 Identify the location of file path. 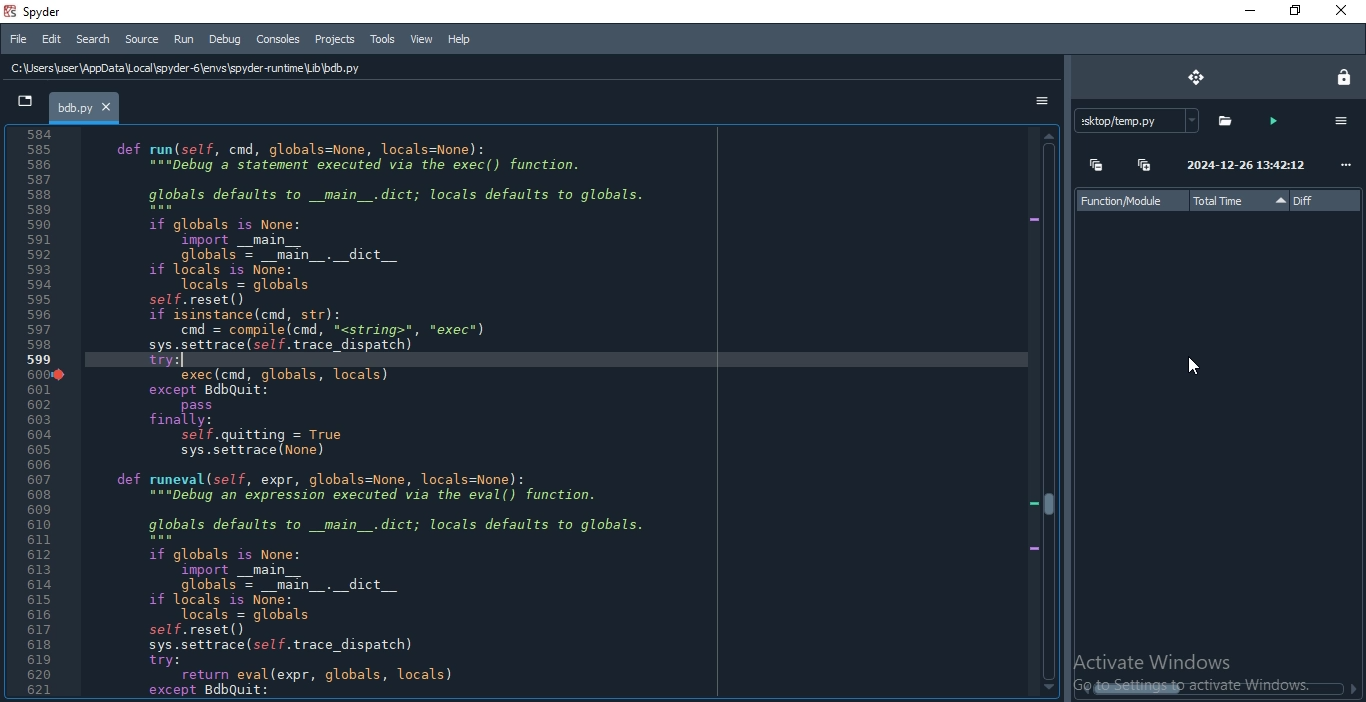
(1139, 121).